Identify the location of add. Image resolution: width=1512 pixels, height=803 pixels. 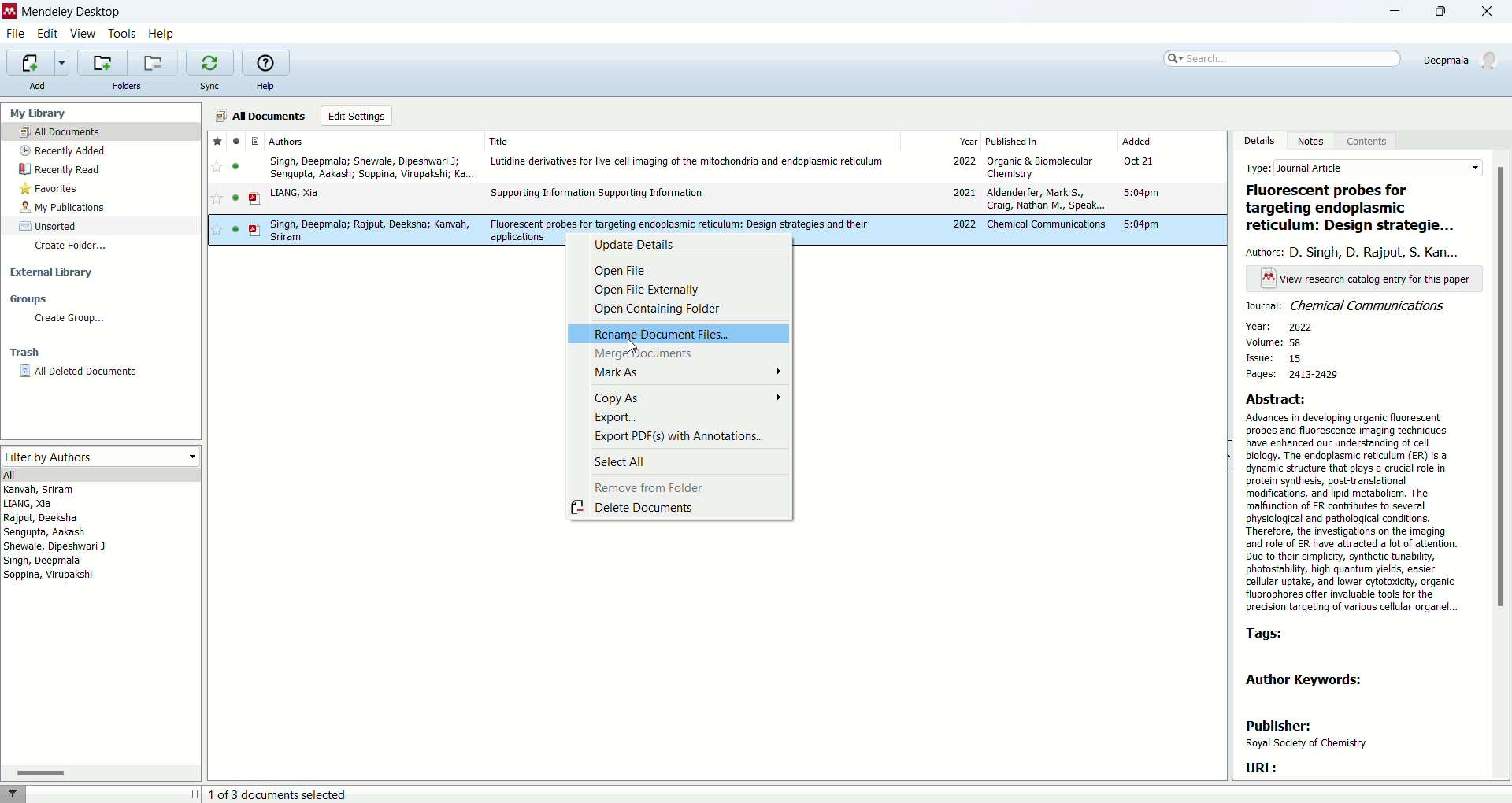
(38, 84).